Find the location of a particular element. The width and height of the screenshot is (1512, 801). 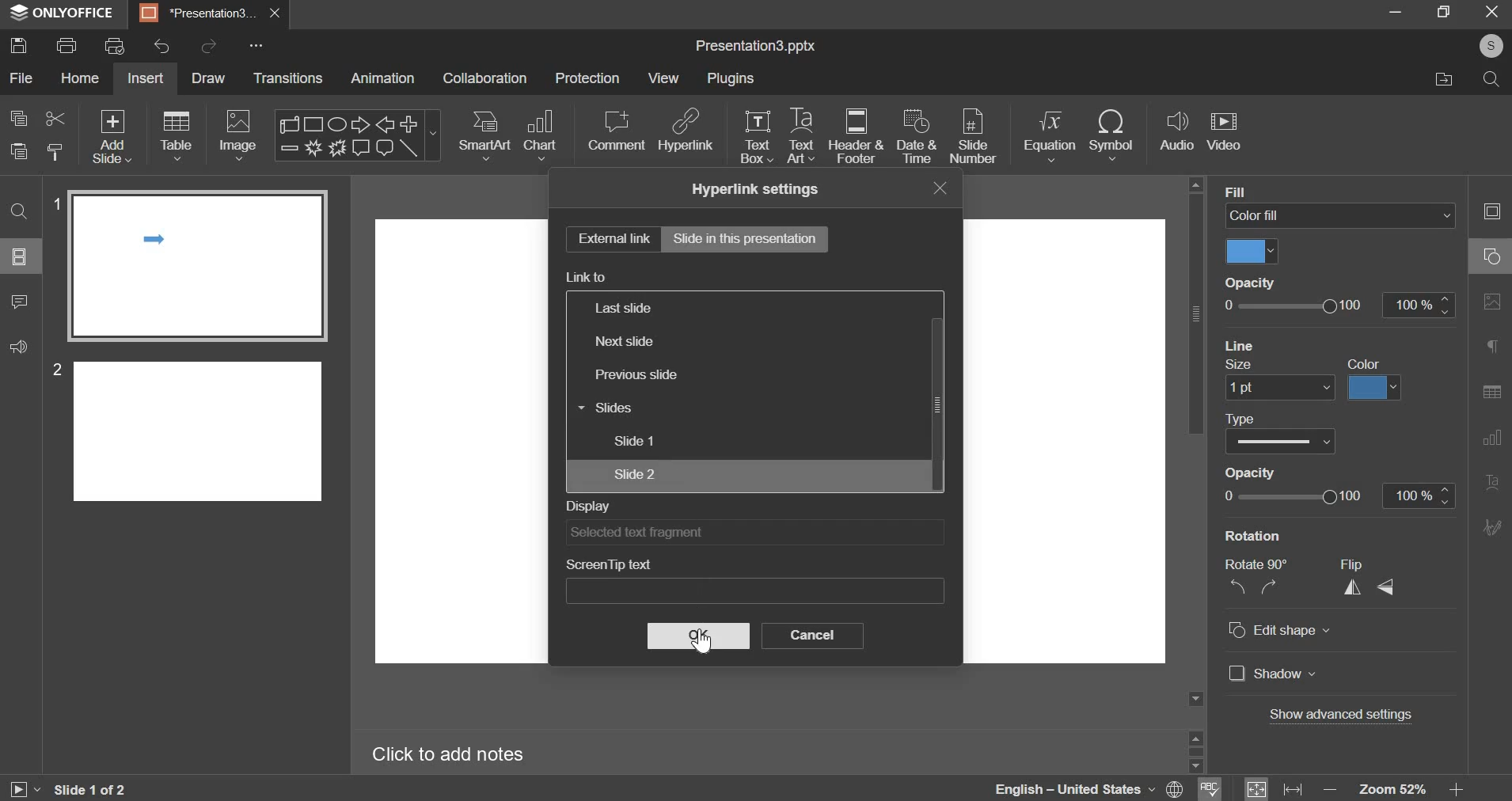

rounded rectangular callout is located at coordinates (384, 150).